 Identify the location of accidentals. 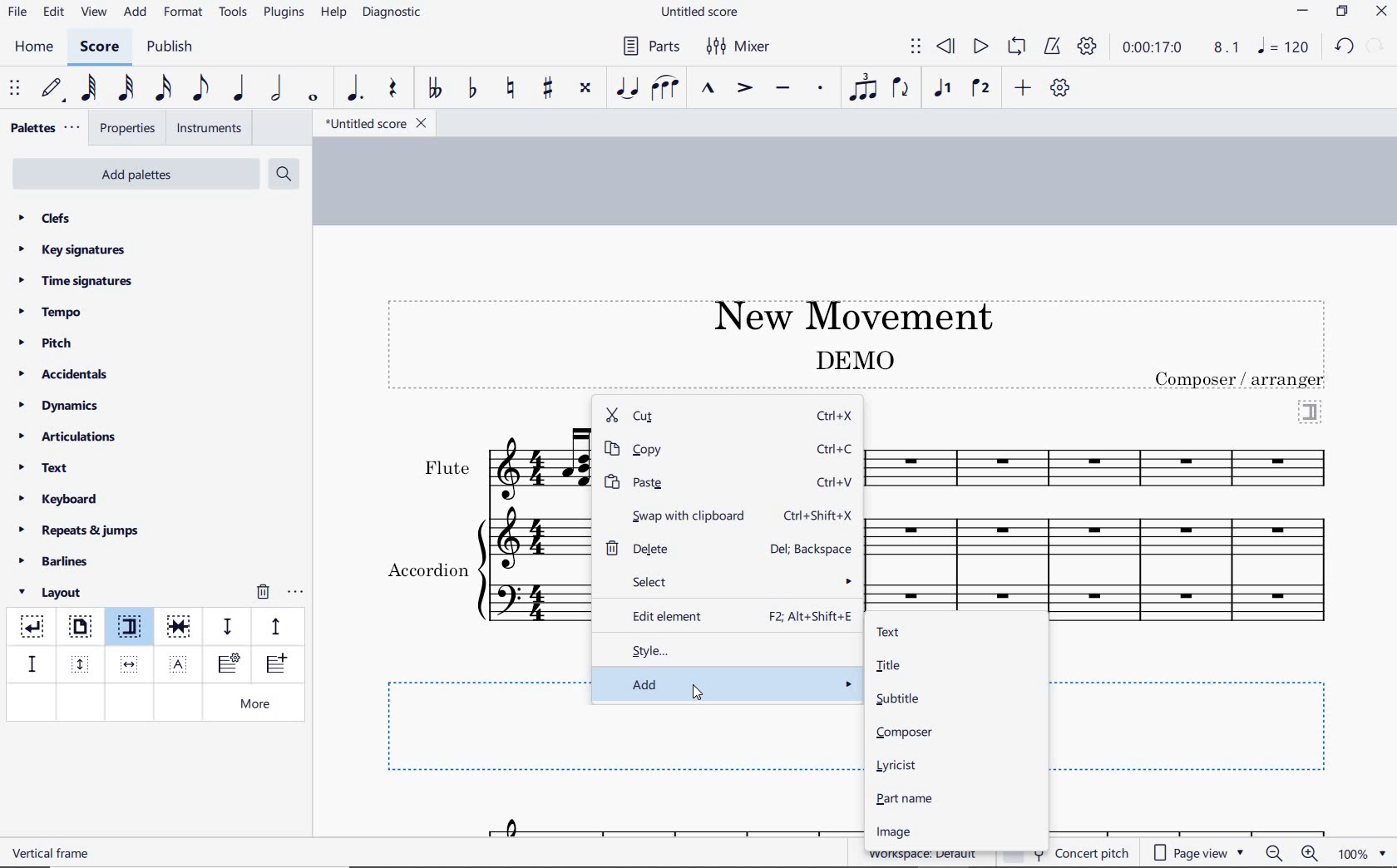
(66, 373).